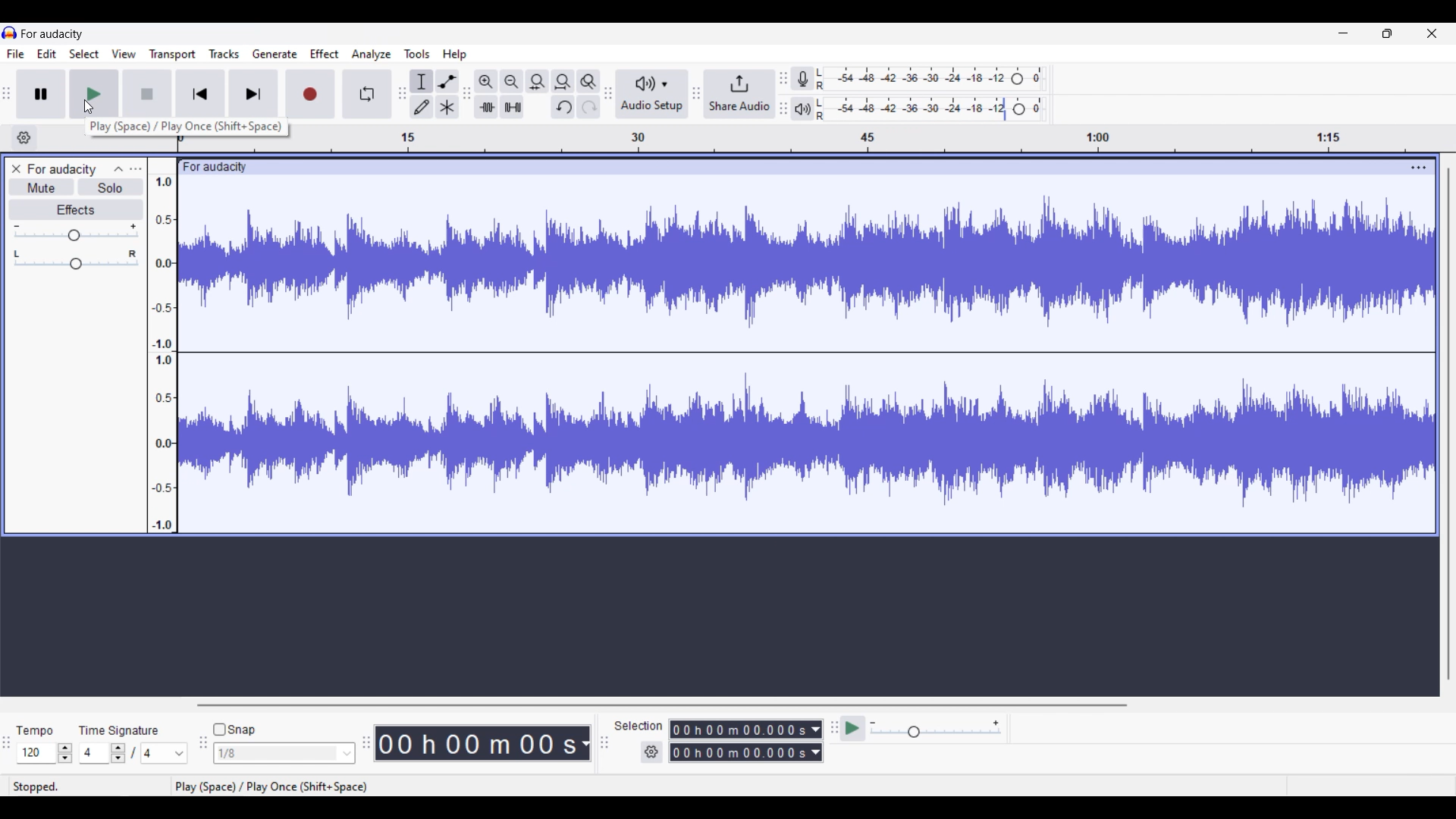  What do you see at coordinates (455, 55) in the screenshot?
I see `Help menu` at bounding box center [455, 55].